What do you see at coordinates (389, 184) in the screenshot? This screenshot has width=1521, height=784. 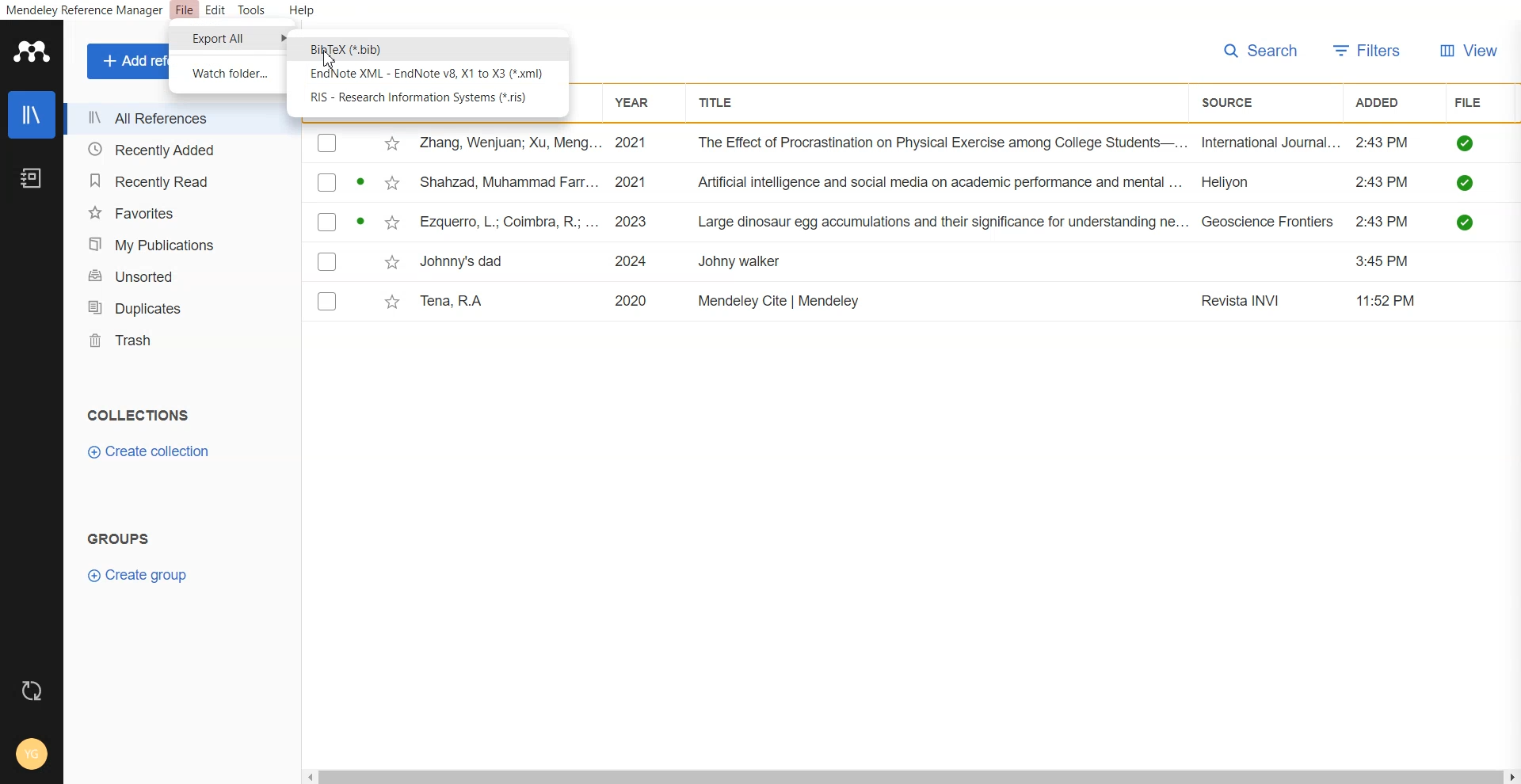 I see `star` at bounding box center [389, 184].